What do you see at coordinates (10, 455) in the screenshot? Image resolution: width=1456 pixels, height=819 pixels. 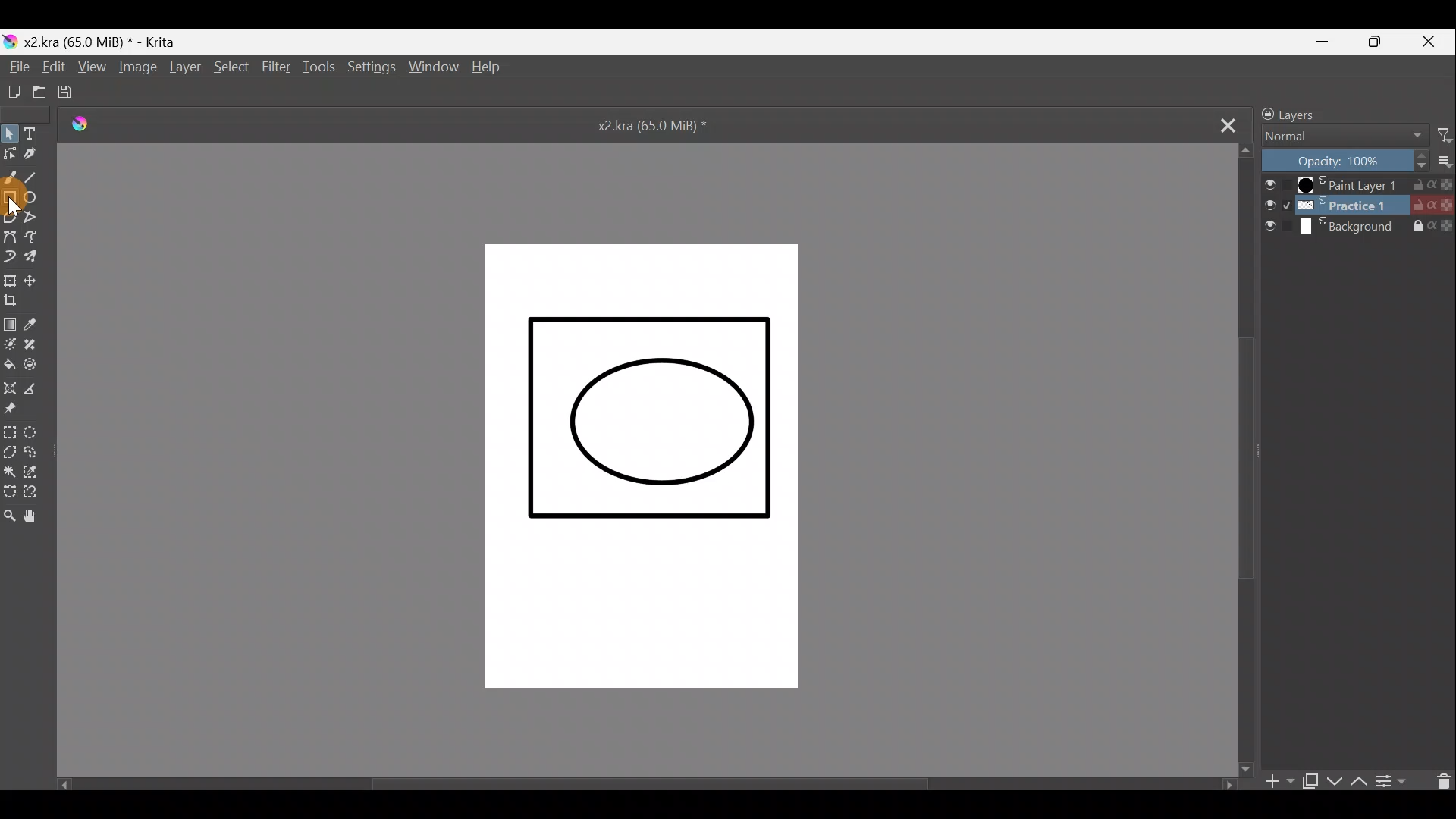 I see `Polygonal selection tool` at bounding box center [10, 455].